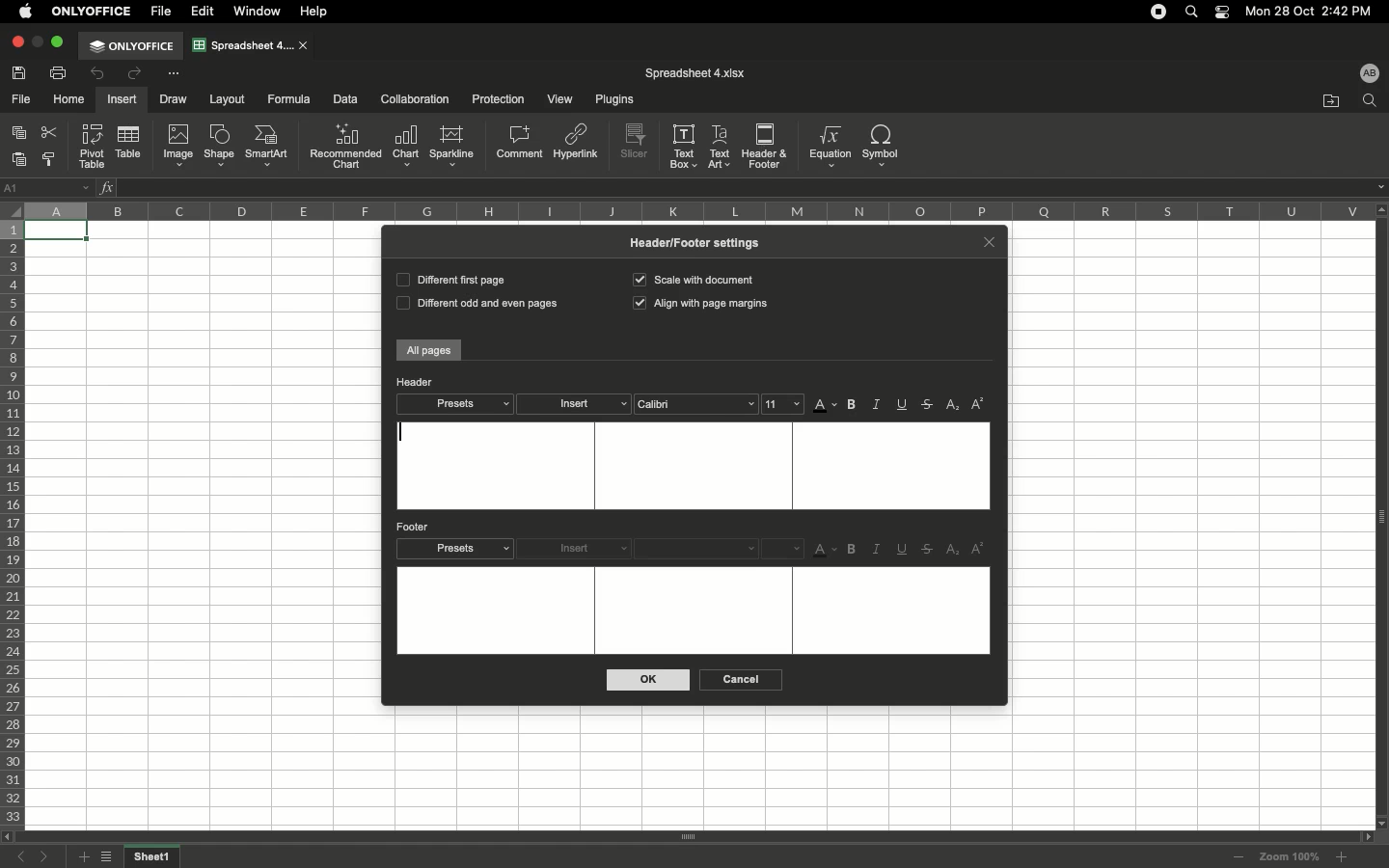  What do you see at coordinates (688, 838) in the screenshot?
I see `Scroll` at bounding box center [688, 838].